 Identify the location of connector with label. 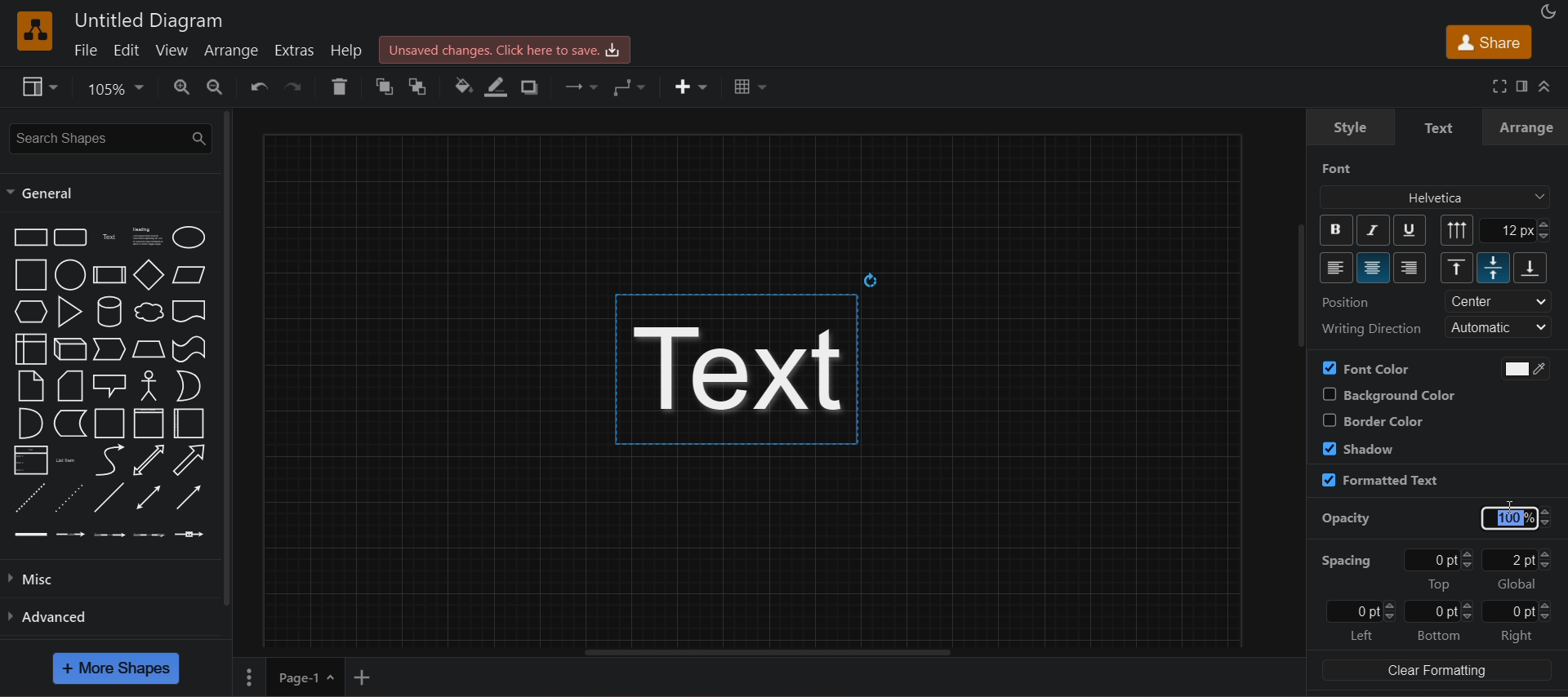
(70, 535).